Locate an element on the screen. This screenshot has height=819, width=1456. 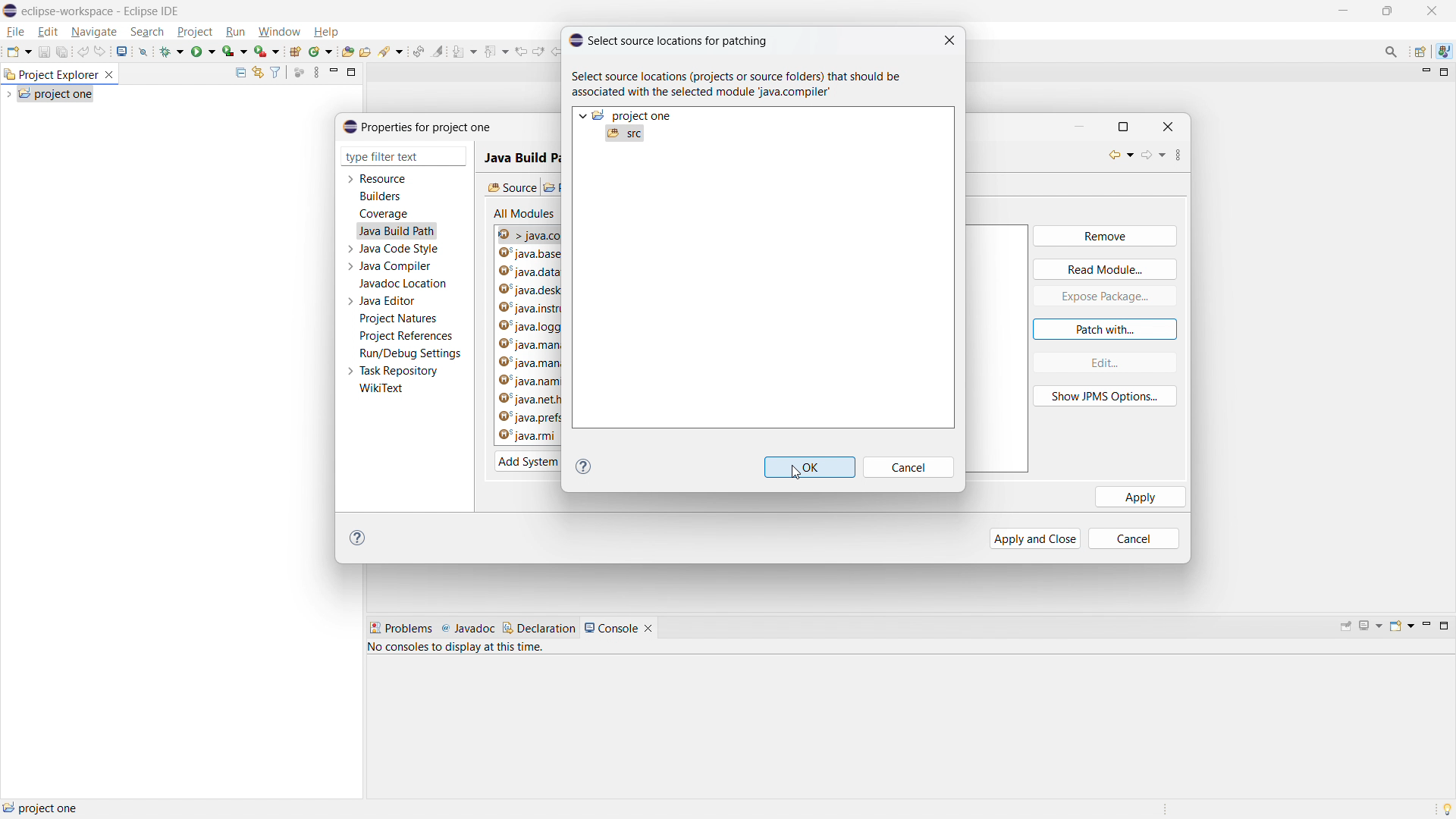
close is located at coordinates (949, 41).